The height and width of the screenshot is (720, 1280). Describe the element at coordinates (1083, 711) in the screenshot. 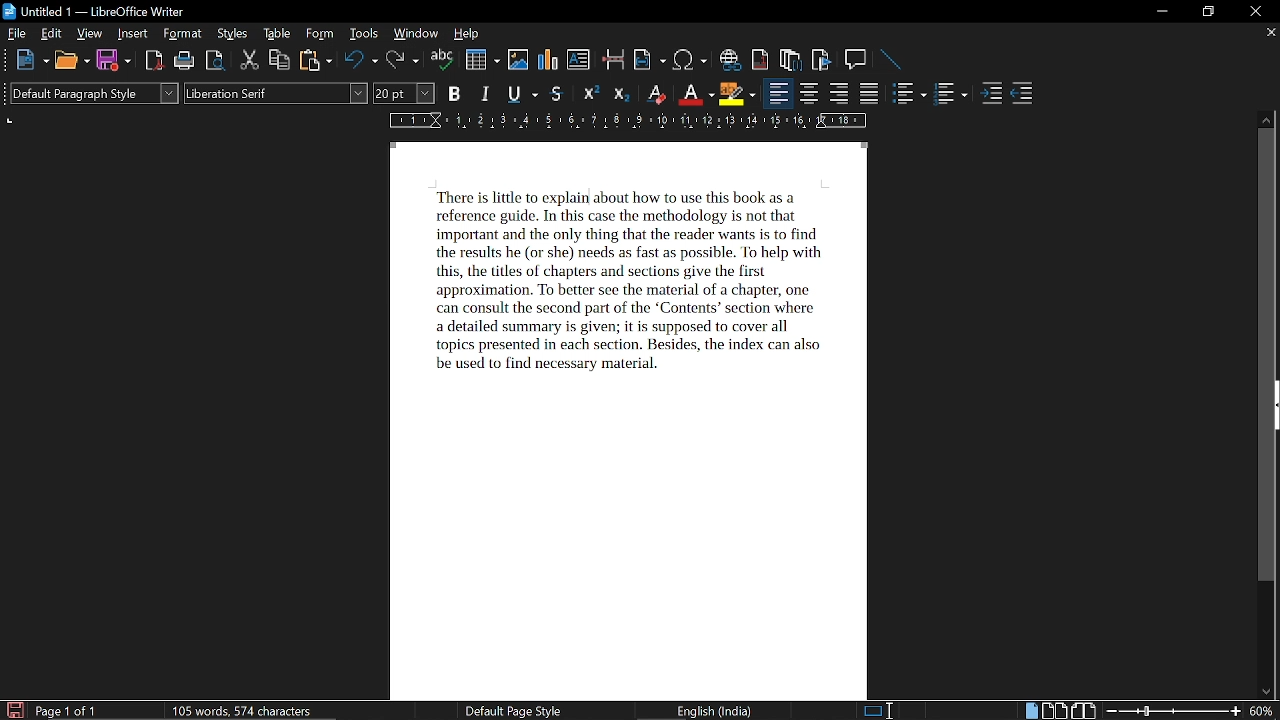

I see `book view` at that location.